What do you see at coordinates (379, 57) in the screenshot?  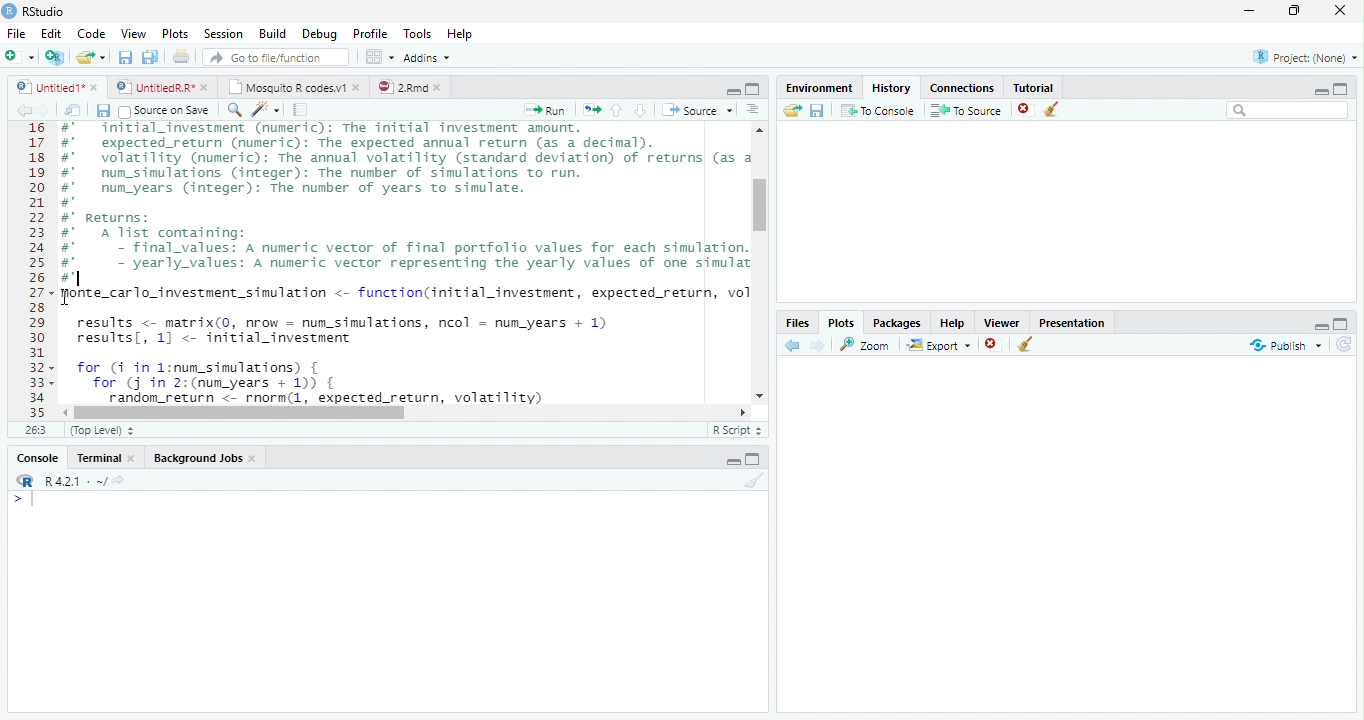 I see `Workspace Panes` at bounding box center [379, 57].